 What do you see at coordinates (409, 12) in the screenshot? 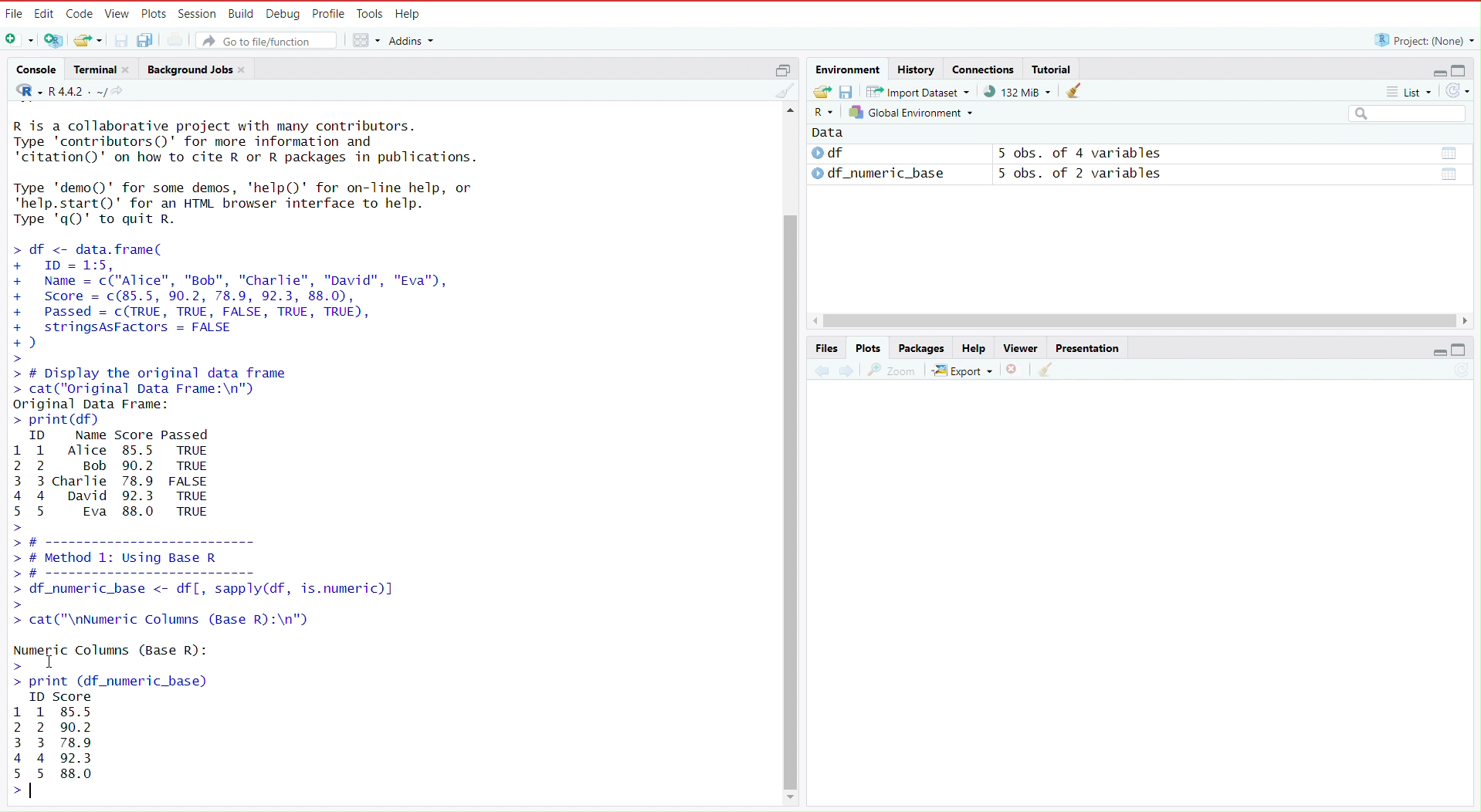
I see `Help` at bounding box center [409, 12].